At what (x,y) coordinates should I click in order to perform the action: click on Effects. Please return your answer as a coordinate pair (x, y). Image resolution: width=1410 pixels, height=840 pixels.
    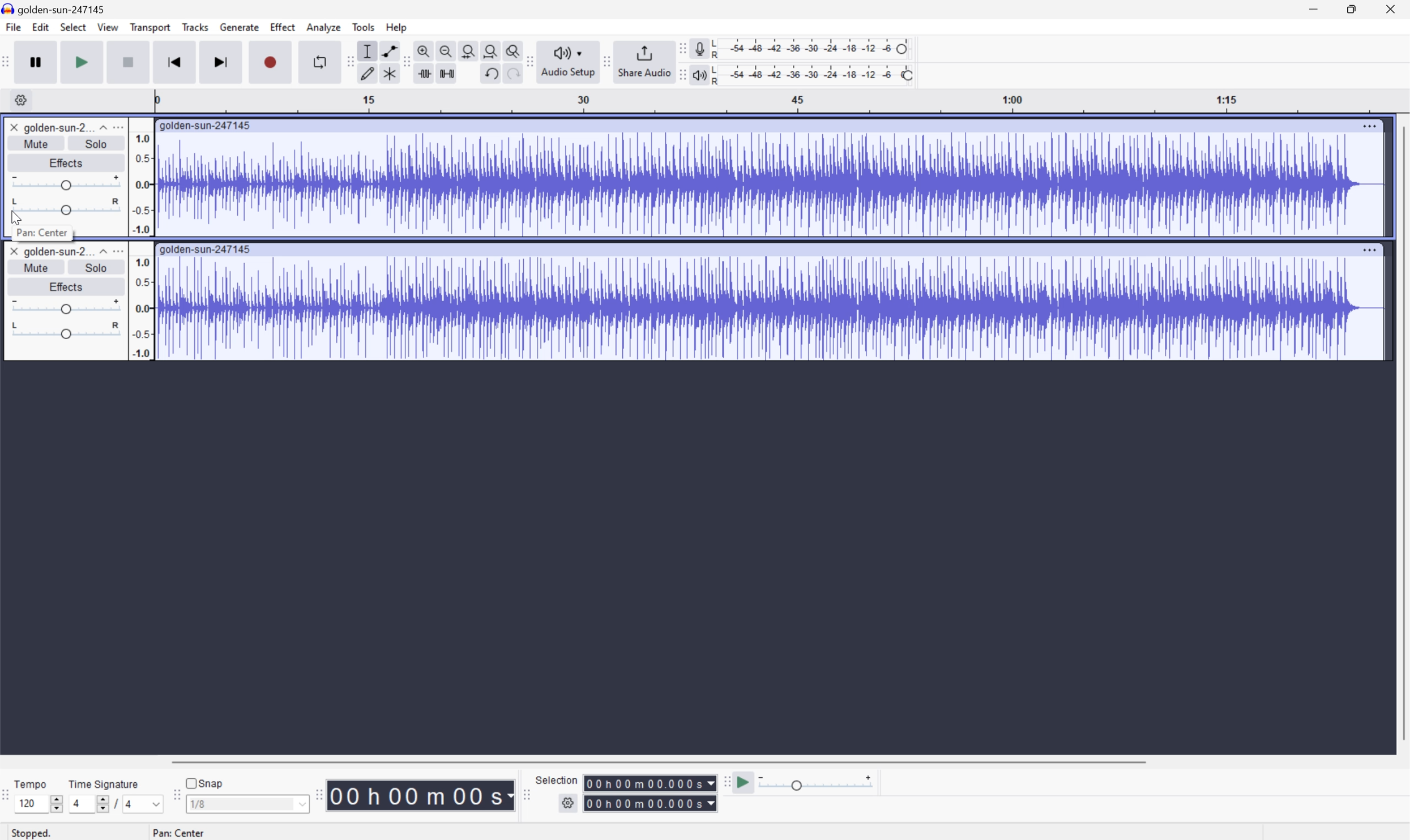
    Looking at the image, I should click on (68, 163).